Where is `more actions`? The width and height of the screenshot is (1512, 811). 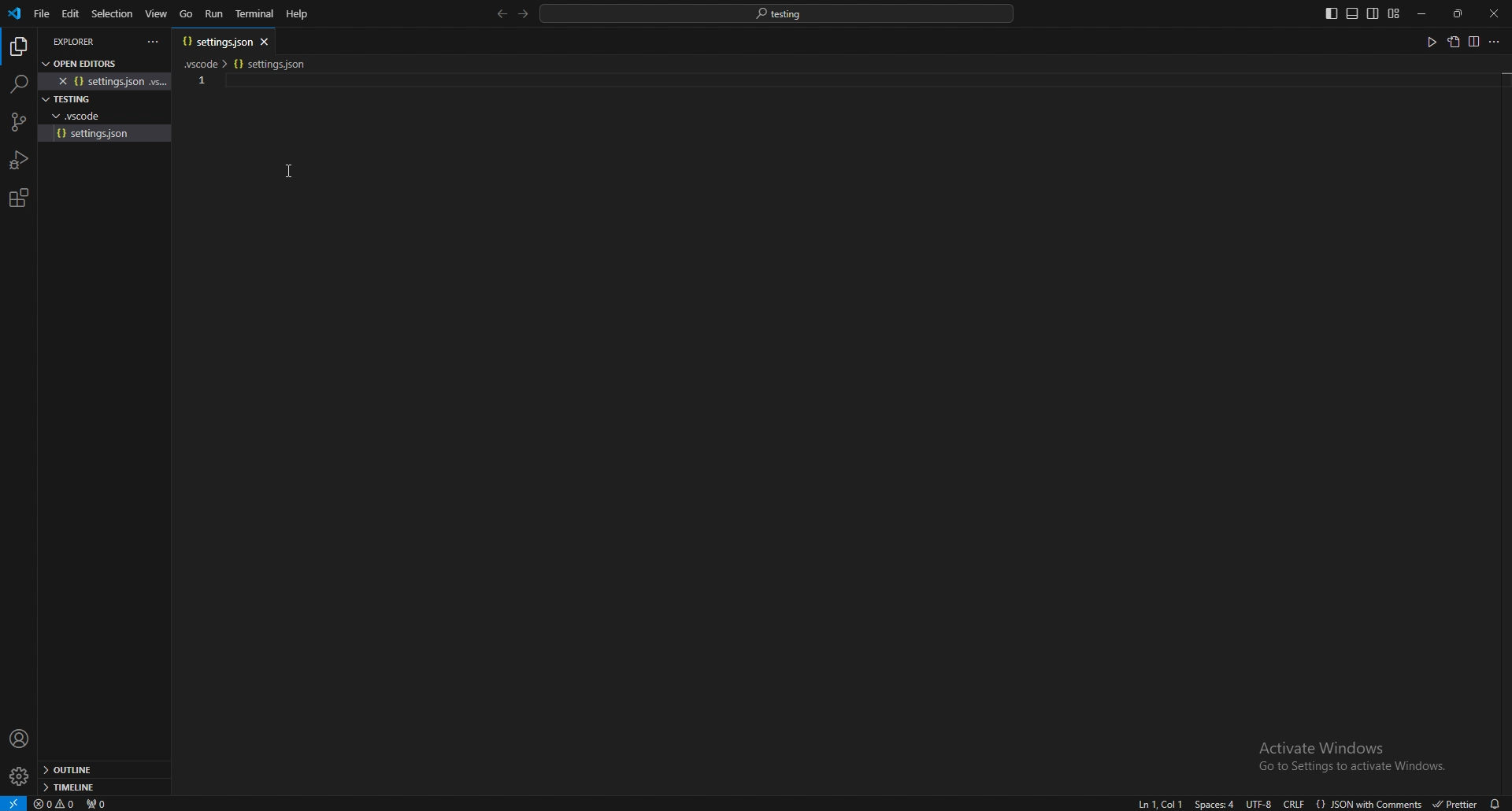
more actions is located at coordinates (1493, 43).